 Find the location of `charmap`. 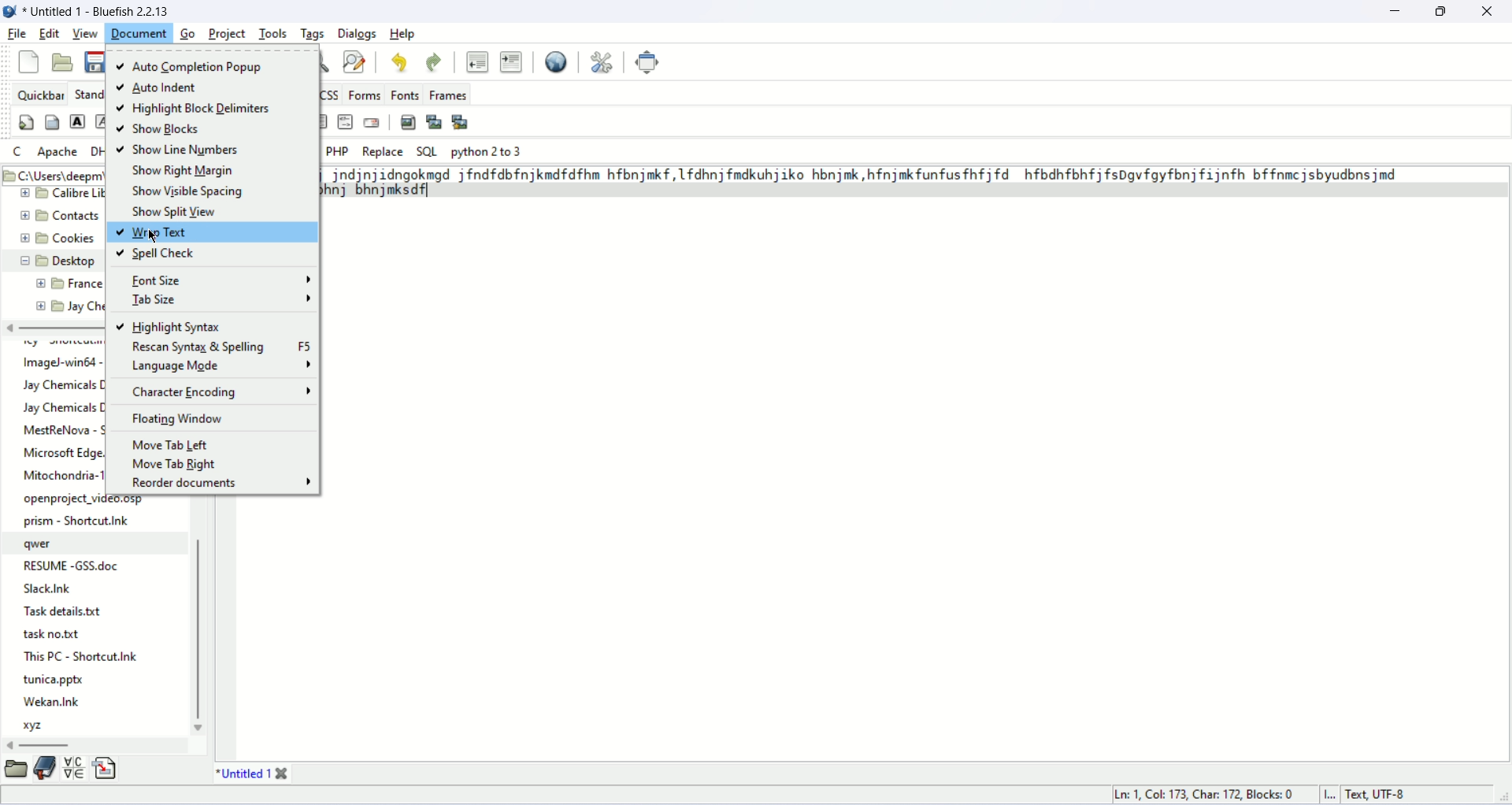

charmap is located at coordinates (72, 770).